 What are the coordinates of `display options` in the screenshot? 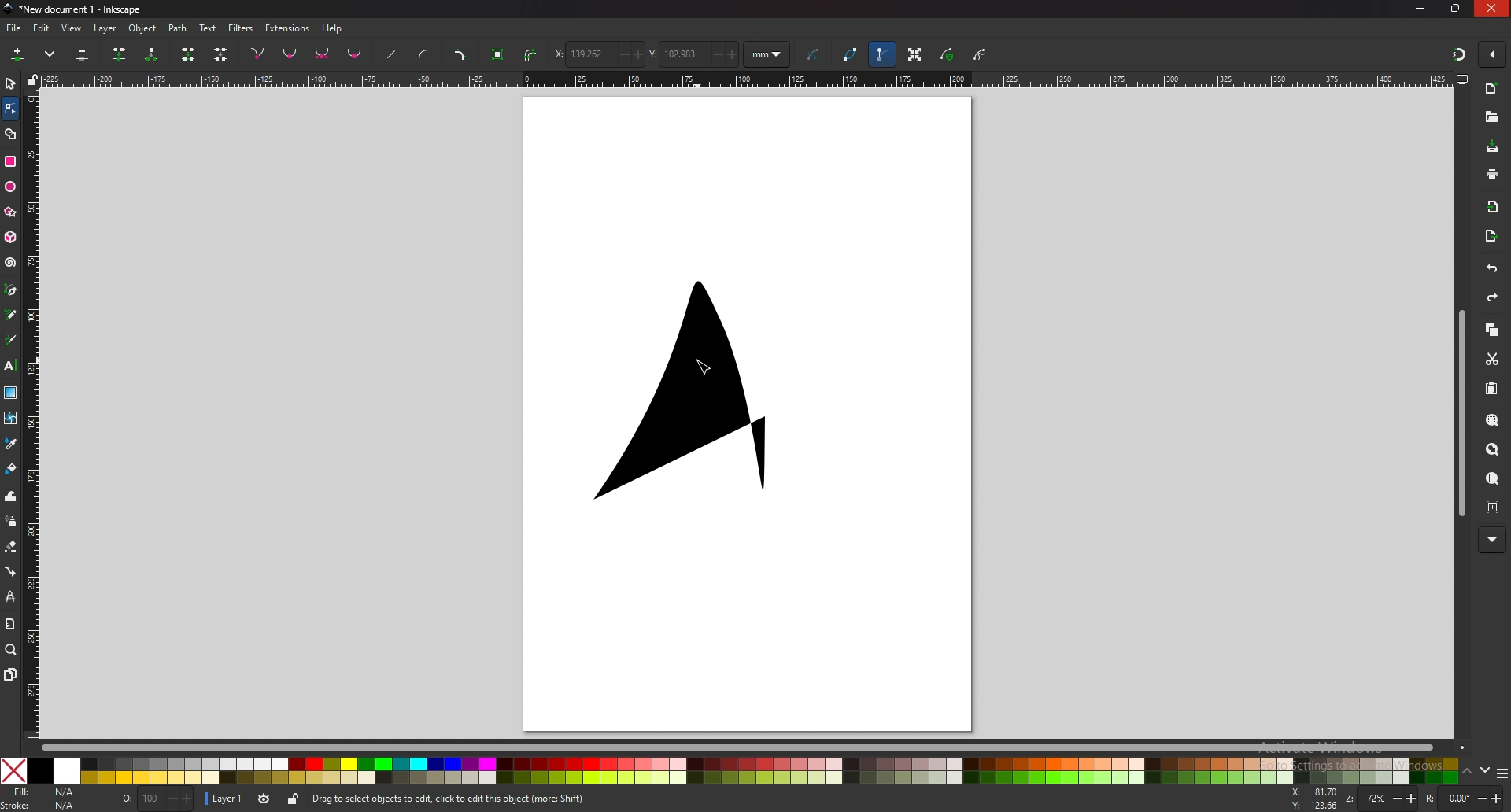 It's located at (1463, 79).